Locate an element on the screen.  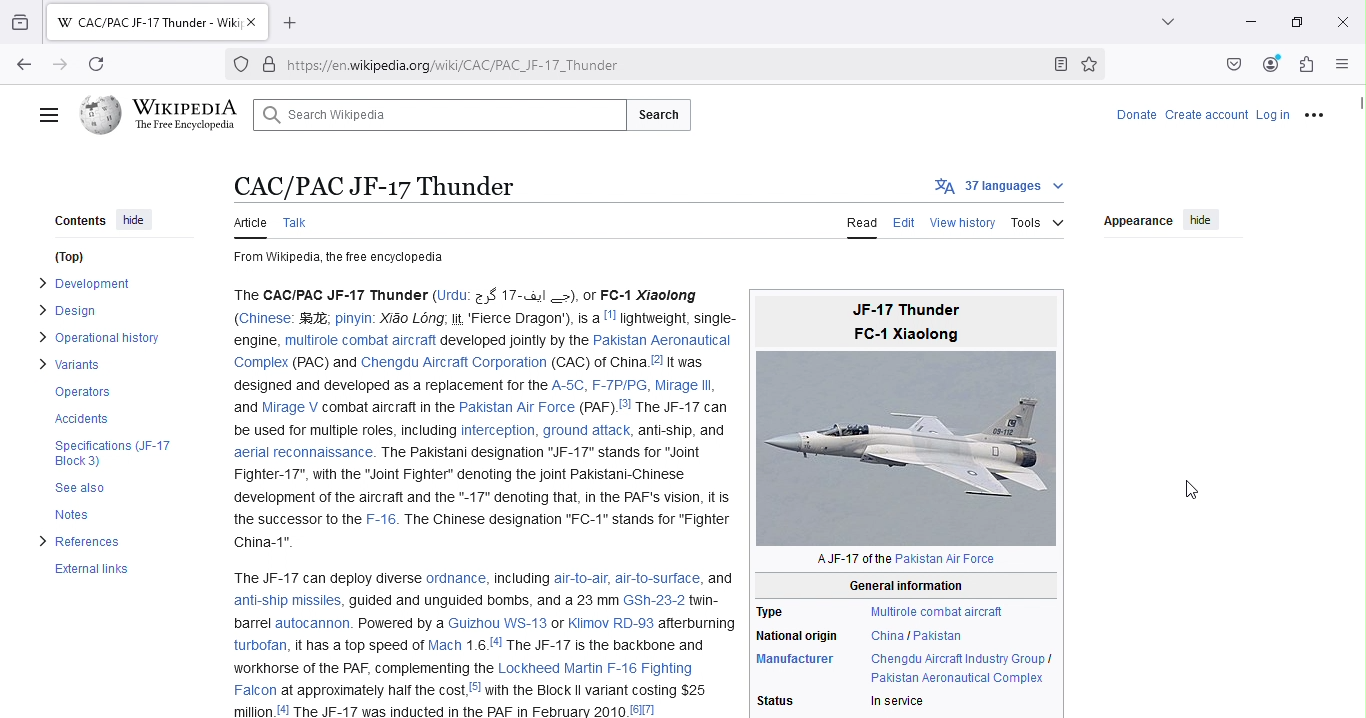
Operators is located at coordinates (82, 392).